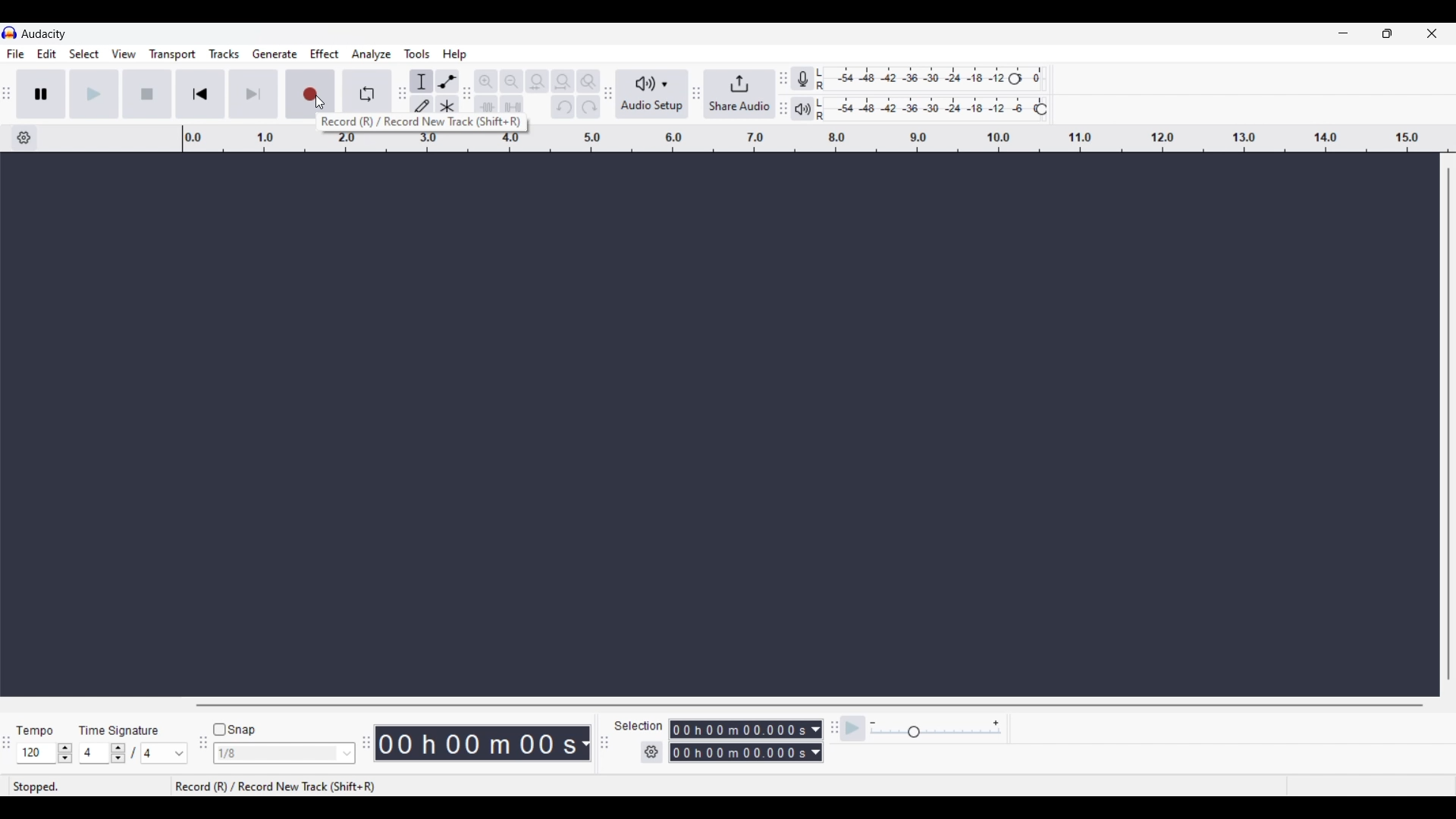 This screenshot has height=819, width=1456. Describe the element at coordinates (9, 743) in the screenshot. I see `toolbar` at that location.